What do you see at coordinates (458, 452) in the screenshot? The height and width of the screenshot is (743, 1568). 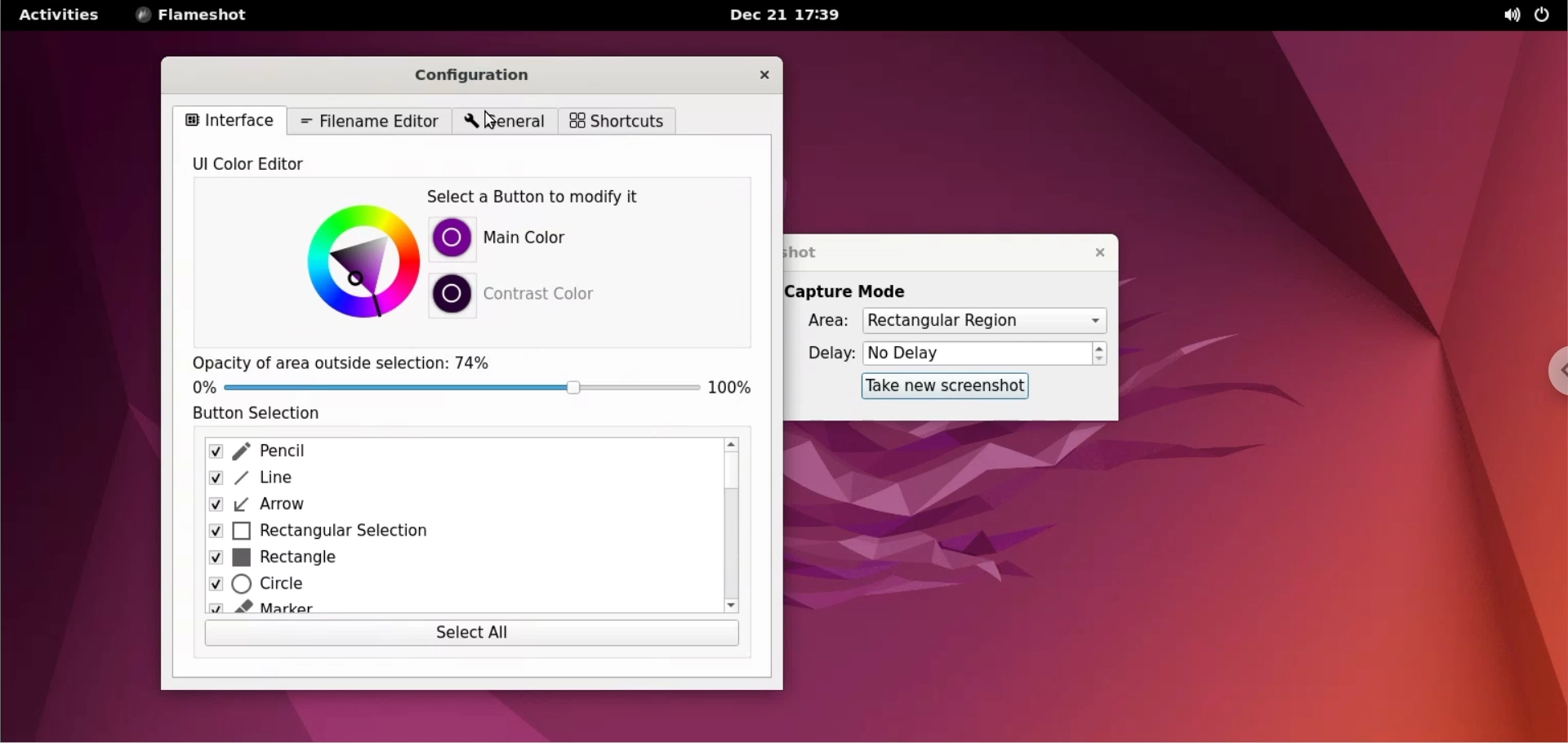 I see `pencil checkbox` at bounding box center [458, 452].